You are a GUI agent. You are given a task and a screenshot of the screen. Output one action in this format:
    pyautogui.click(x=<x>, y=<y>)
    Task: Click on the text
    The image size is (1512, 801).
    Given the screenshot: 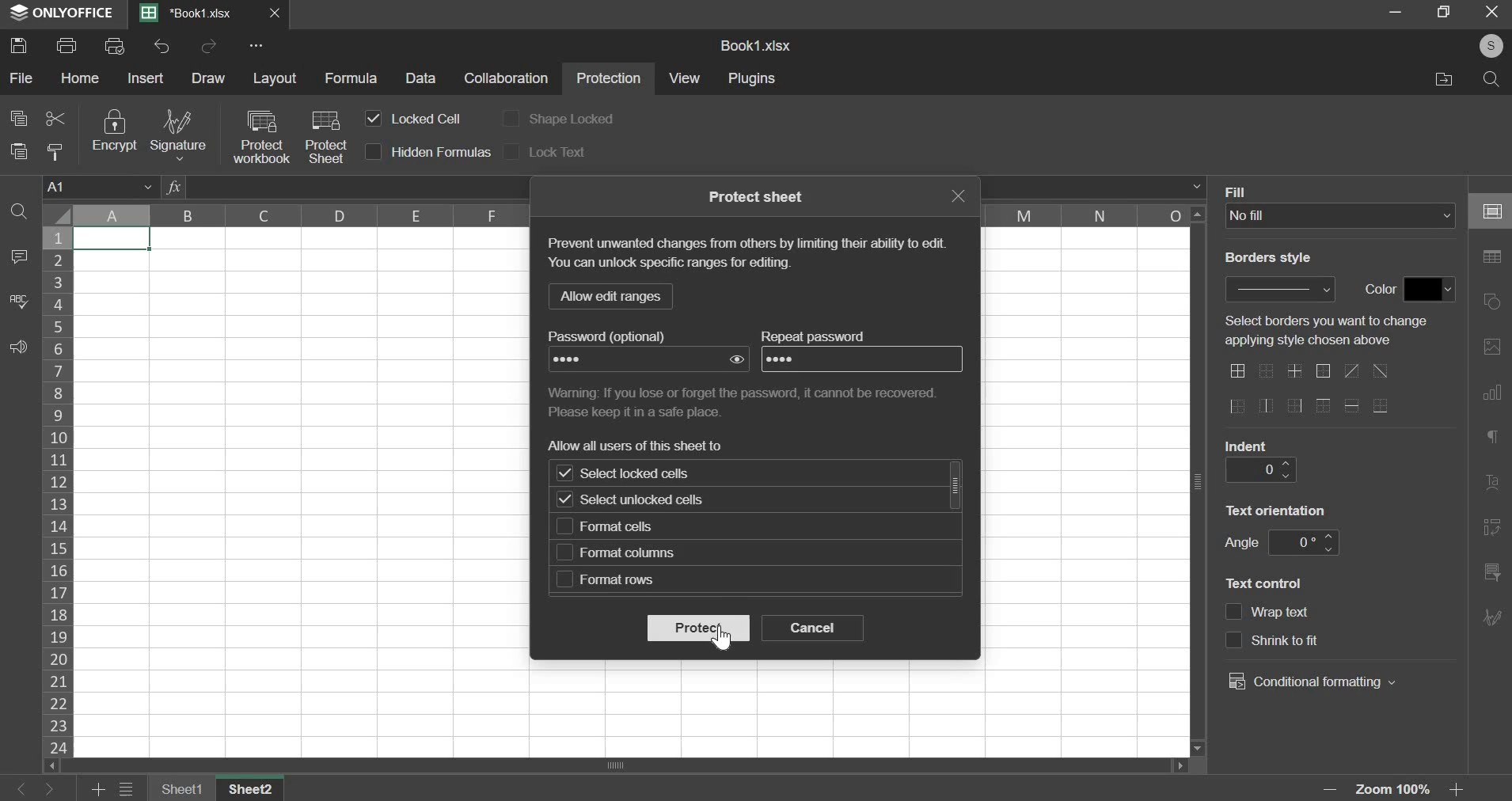 What is the action you would take?
    pyautogui.click(x=817, y=336)
    